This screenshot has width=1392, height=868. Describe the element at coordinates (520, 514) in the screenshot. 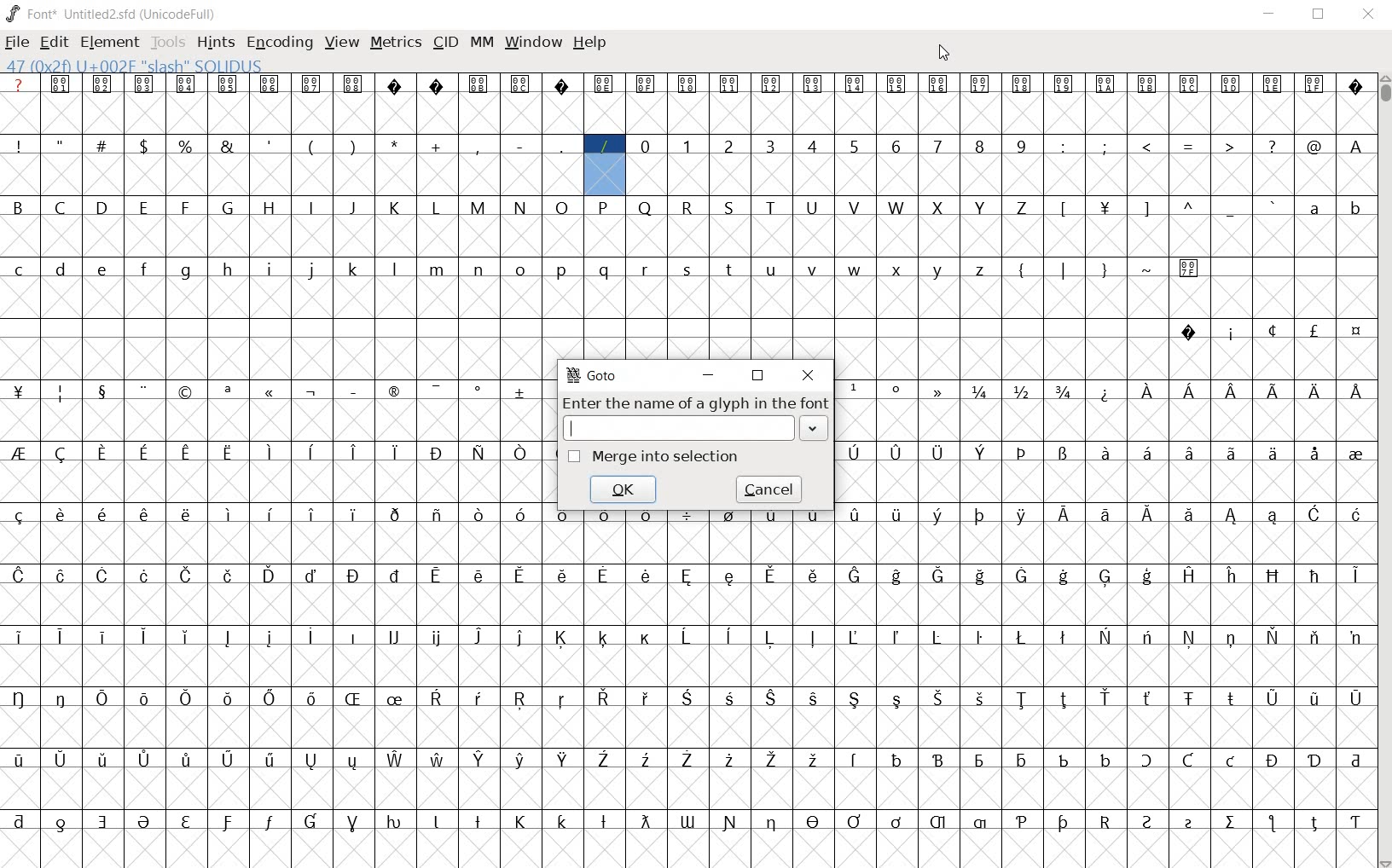

I see `glyph` at that location.